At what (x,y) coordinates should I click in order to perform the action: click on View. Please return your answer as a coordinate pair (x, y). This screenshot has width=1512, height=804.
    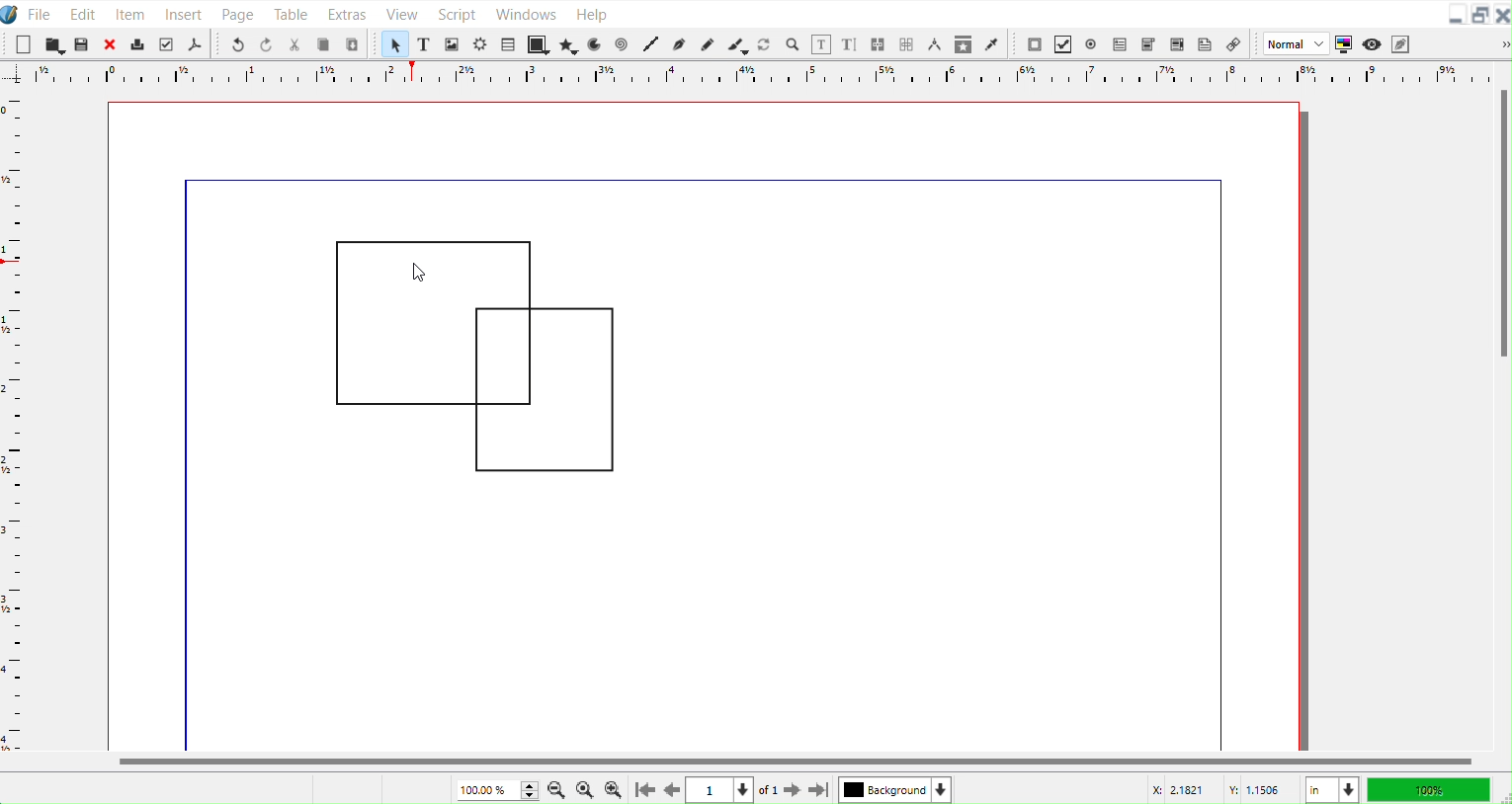
    Looking at the image, I should click on (400, 13).